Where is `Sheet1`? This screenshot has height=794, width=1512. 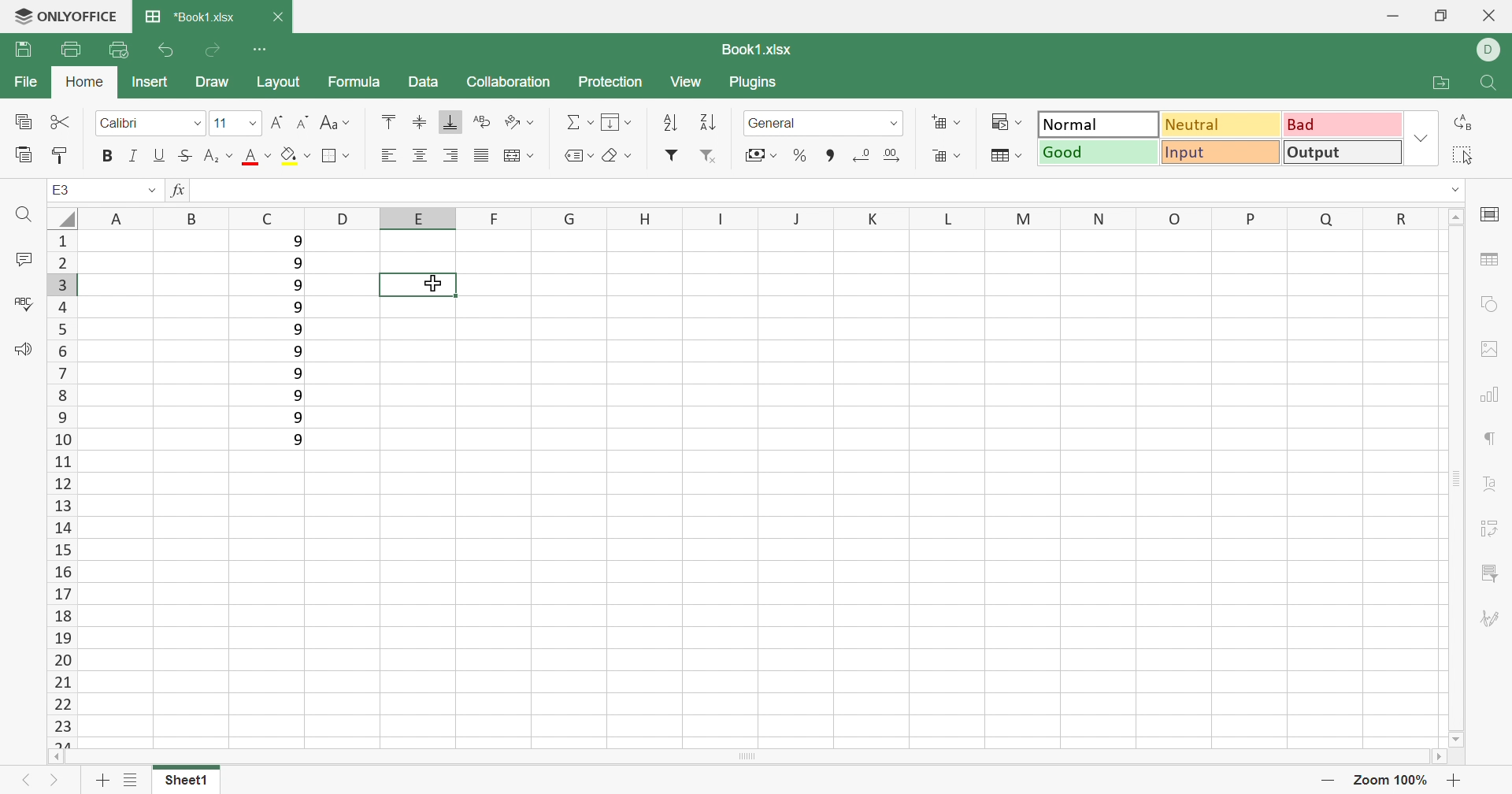 Sheet1 is located at coordinates (191, 781).